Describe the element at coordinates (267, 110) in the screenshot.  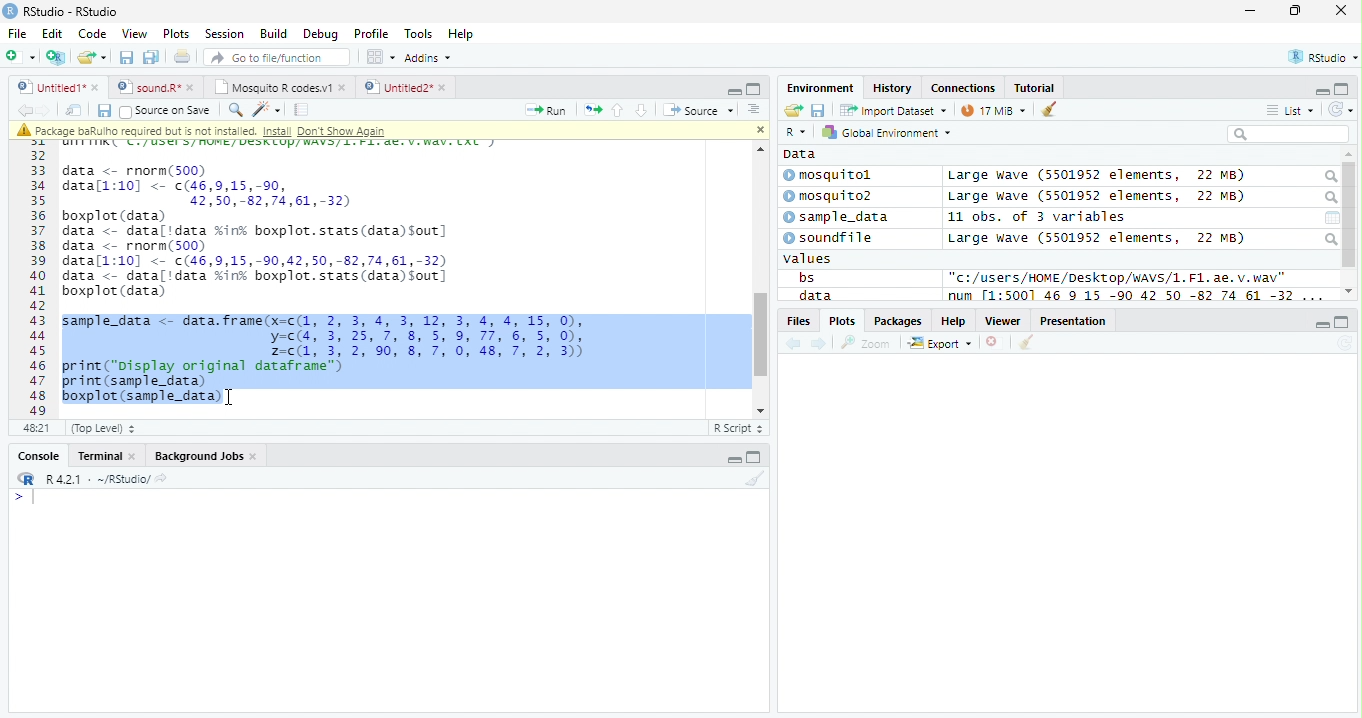
I see `code tools` at that location.